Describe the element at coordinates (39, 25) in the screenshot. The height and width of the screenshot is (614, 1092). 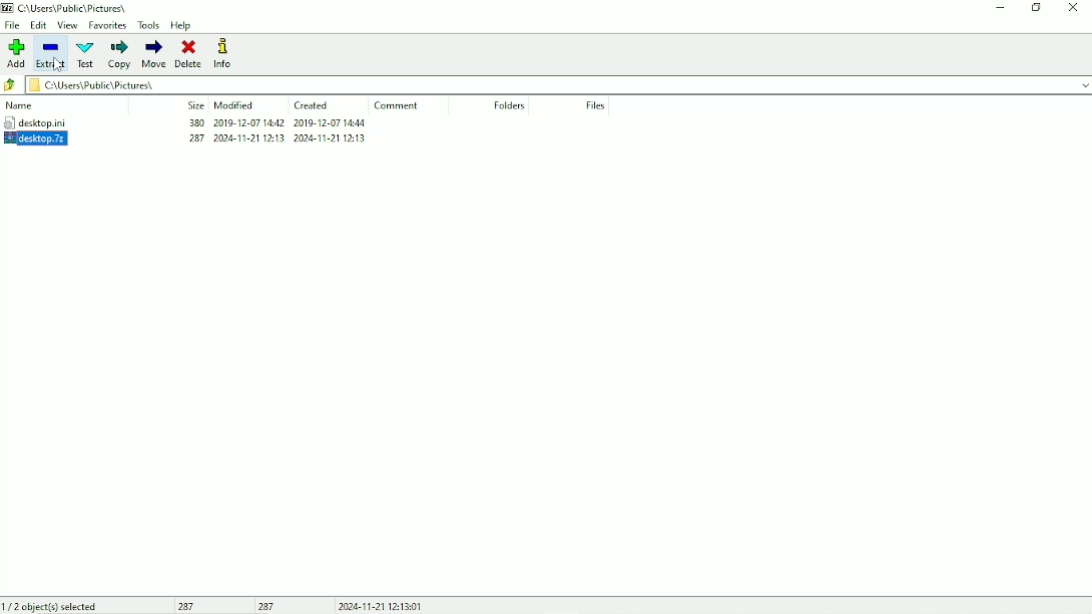
I see `Edit` at that location.